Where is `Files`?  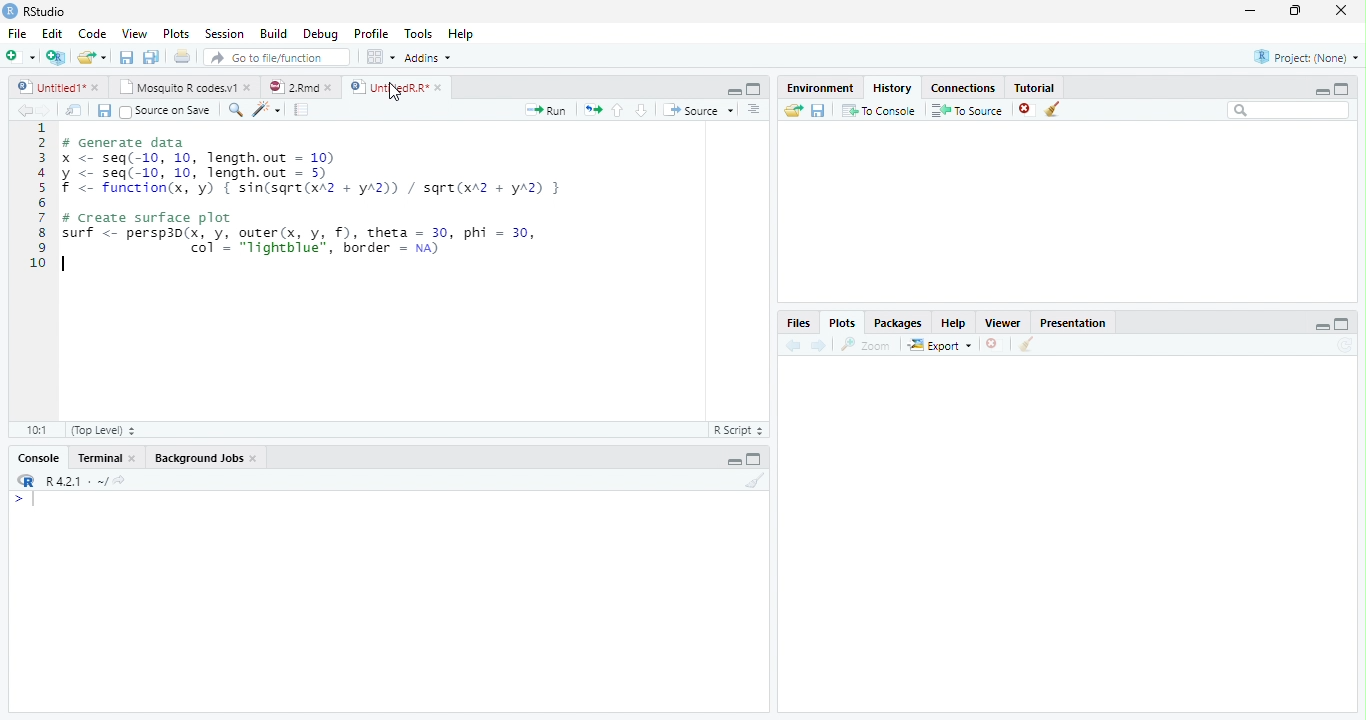
Files is located at coordinates (800, 322).